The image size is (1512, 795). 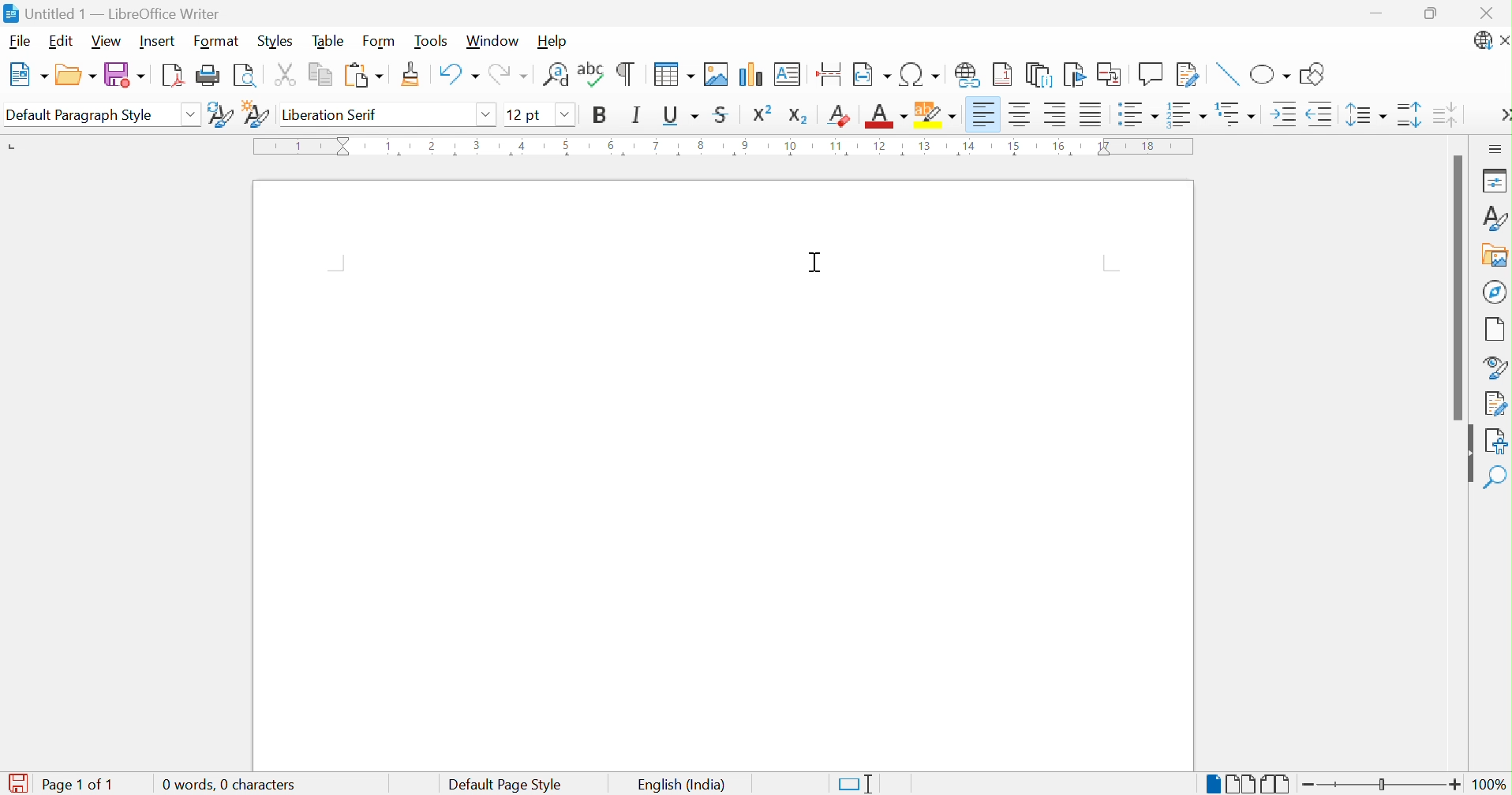 What do you see at coordinates (210, 75) in the screenshot?
I see `Print` at bounding box center [210, 75].